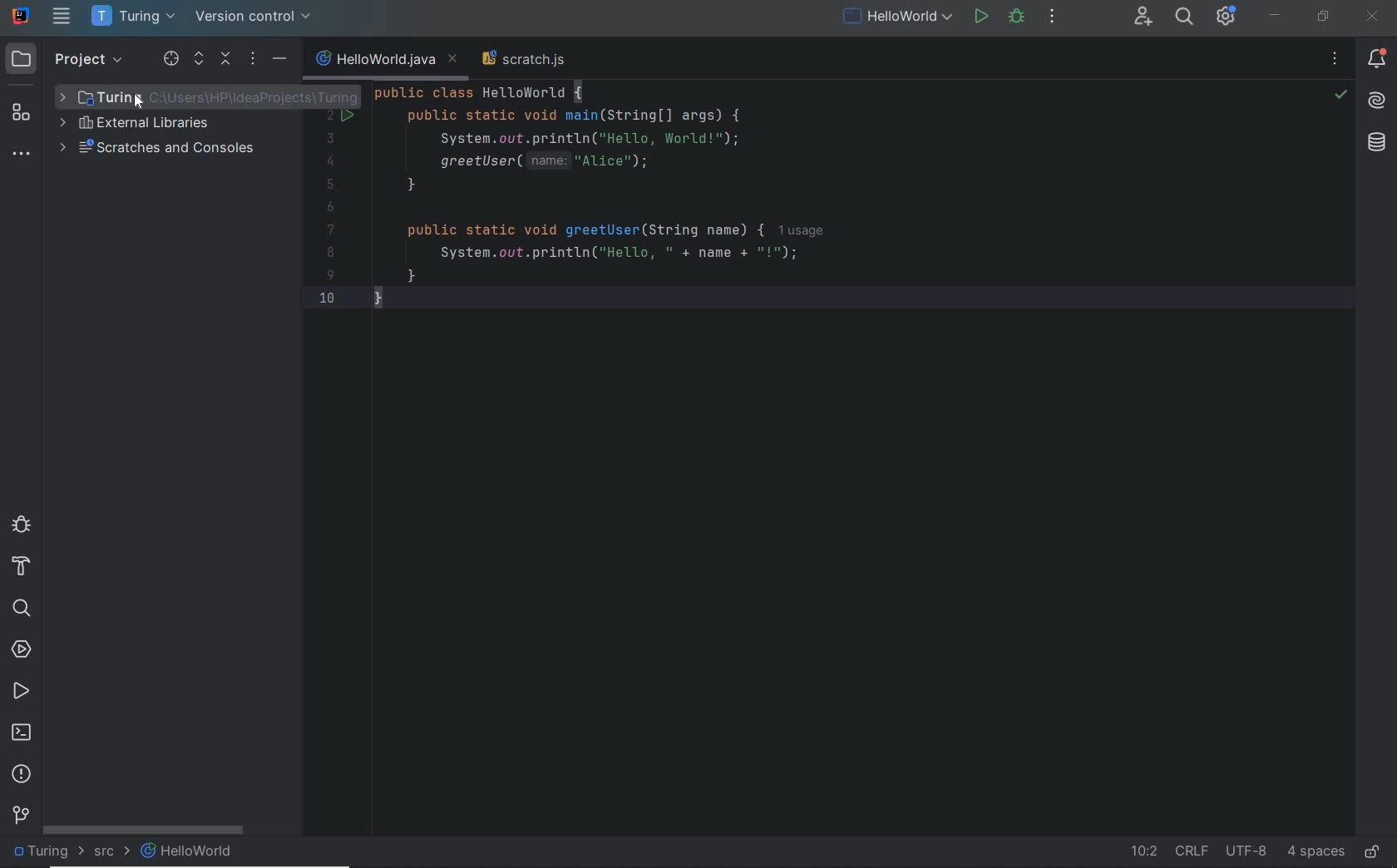 This screenshot has height=868, width=1397. I want to click on search everywhere, so click(1183, 18).